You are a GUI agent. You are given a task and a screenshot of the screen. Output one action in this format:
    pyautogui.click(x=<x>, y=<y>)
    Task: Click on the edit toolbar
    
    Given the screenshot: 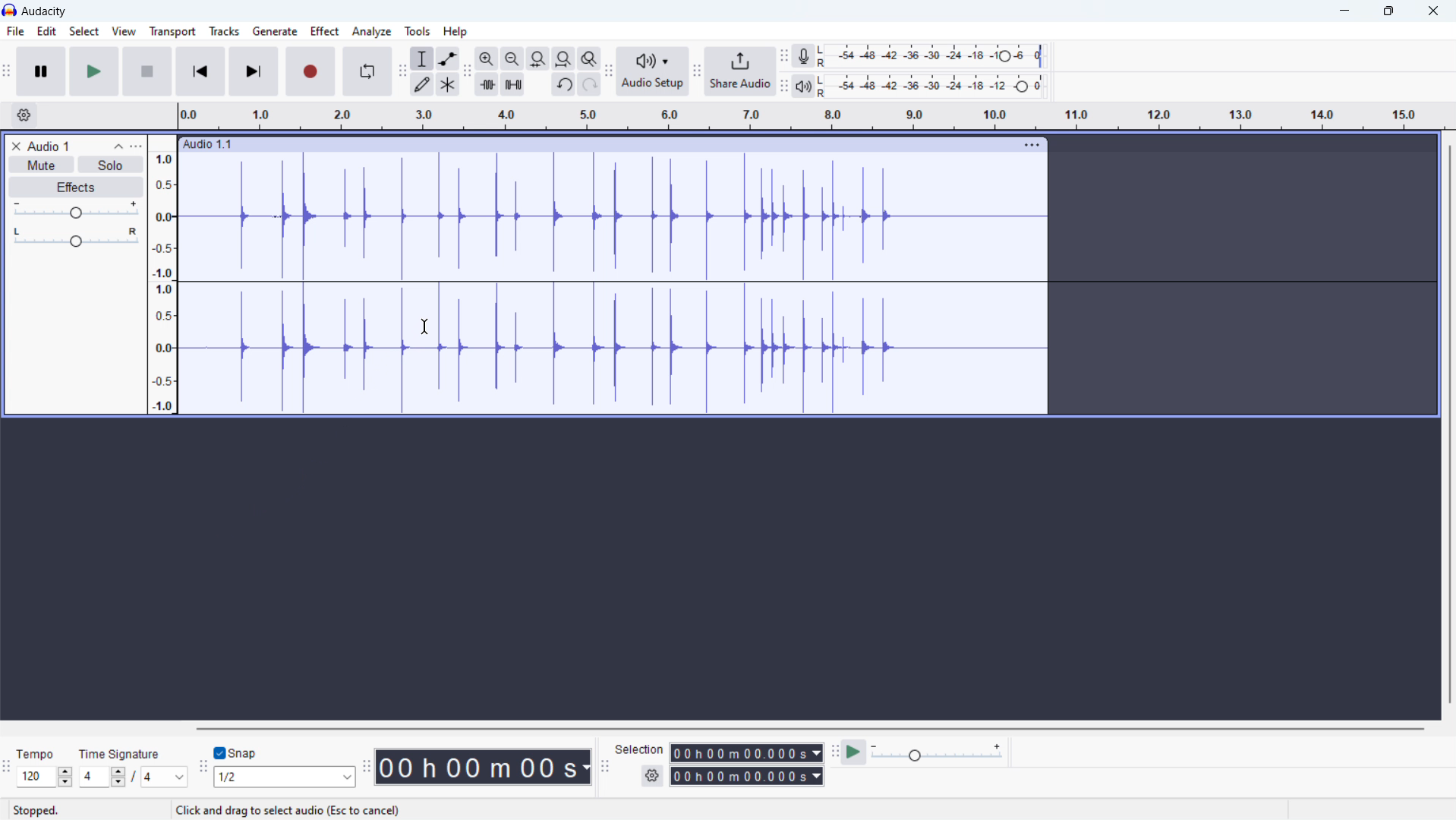 What is the action you would take?
    pyautogui.click(x=468, y=72)
    